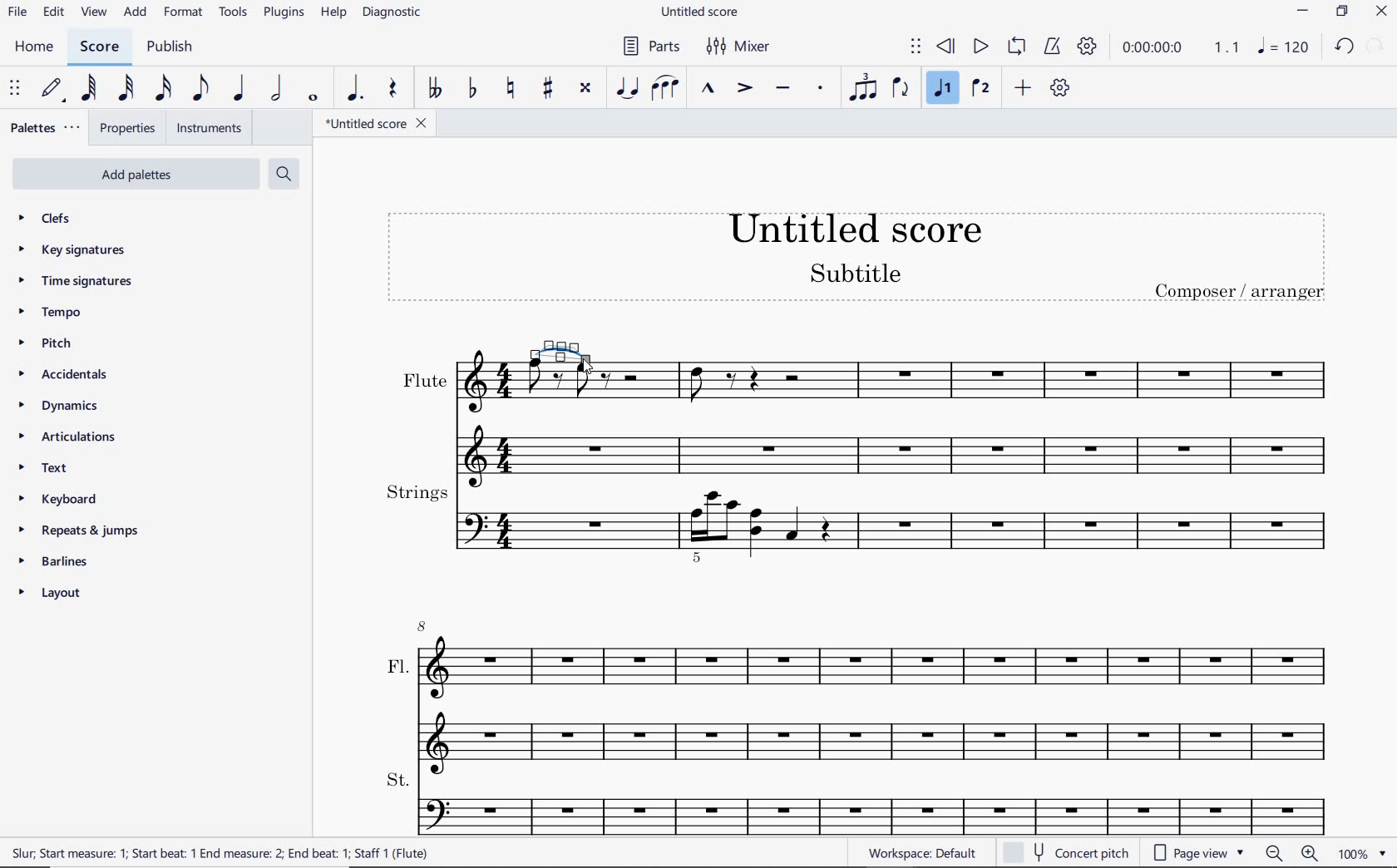 The width and height of the screenshot is (1397, 868). I want to click on LOOP PLAYBACK, so click(1017, 47).